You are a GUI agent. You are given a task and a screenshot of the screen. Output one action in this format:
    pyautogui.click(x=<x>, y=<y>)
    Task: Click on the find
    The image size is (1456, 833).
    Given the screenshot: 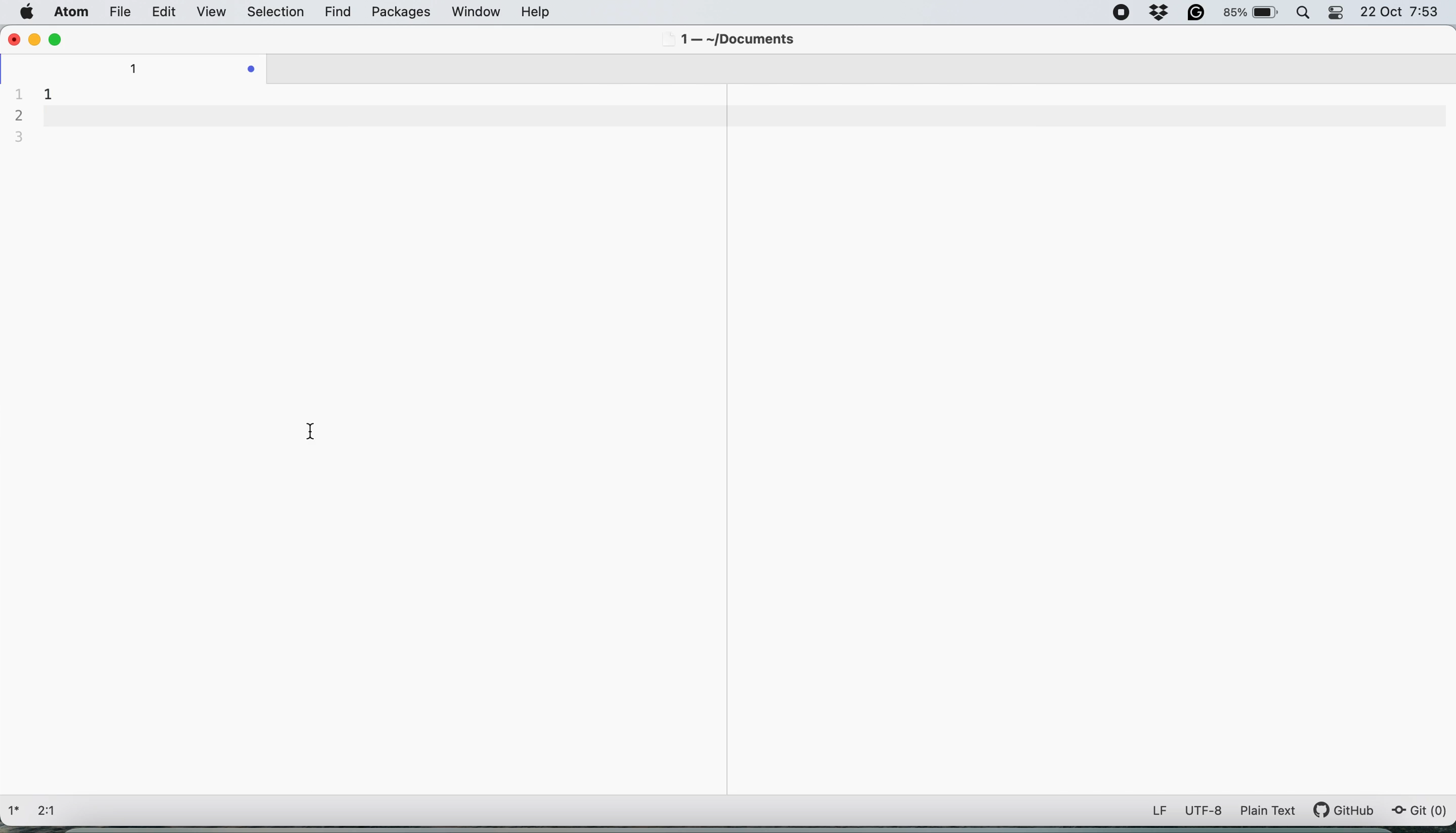 What is the action you would take?
    pyautogui.click(x=340, y=13)
    